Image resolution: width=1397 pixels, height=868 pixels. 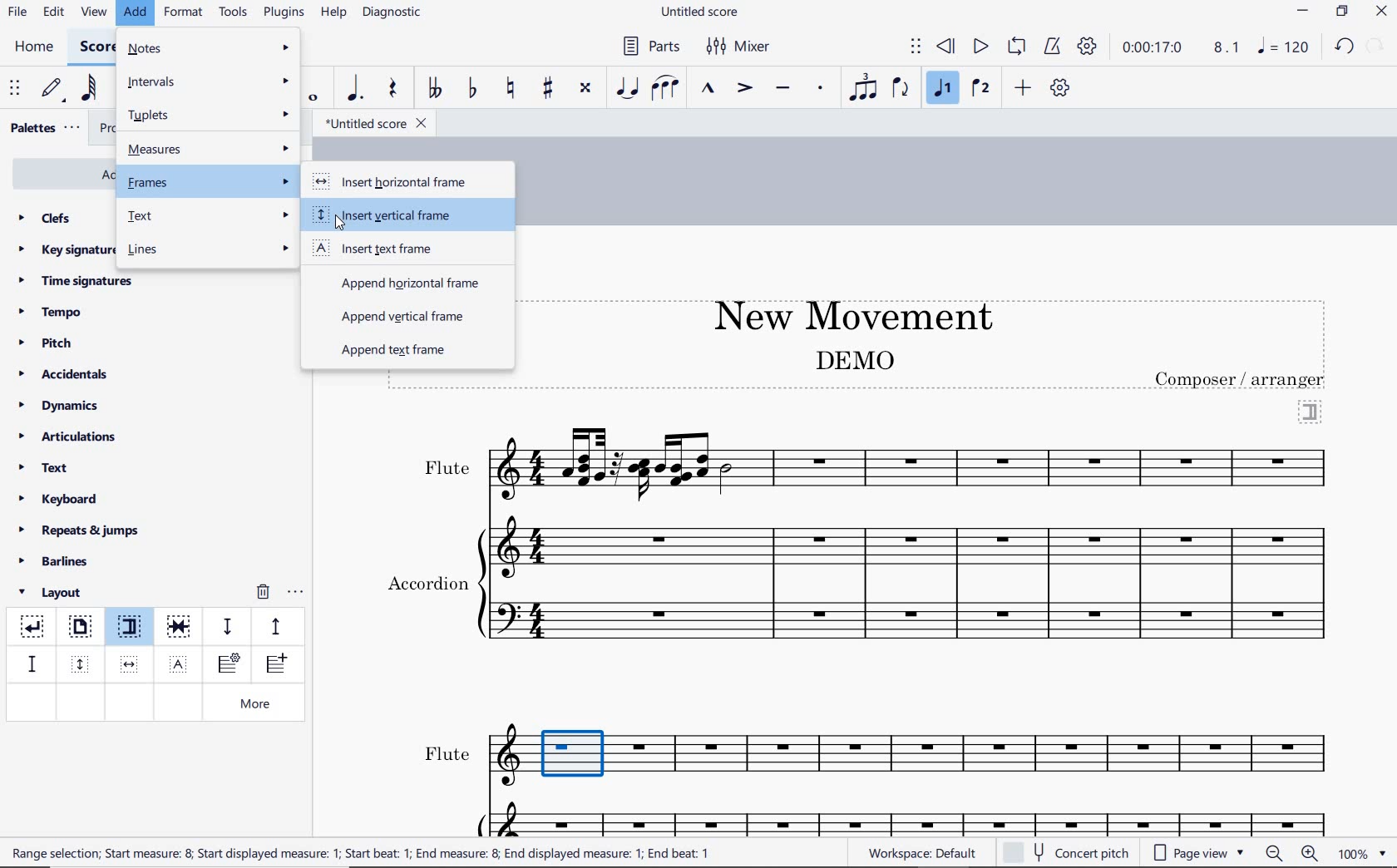 I want to click on barlines, so click(x=59, y=562).